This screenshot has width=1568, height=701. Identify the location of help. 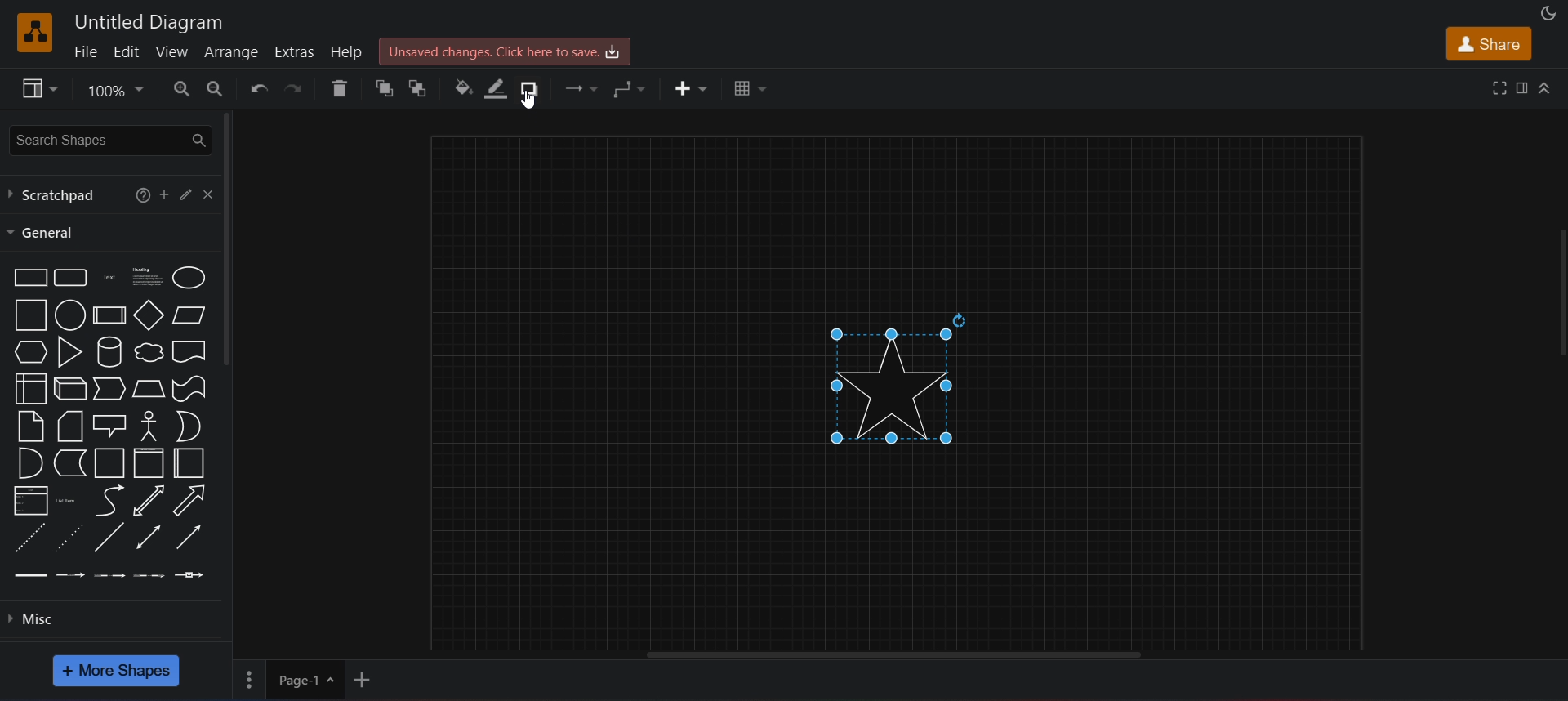
(348, 50).